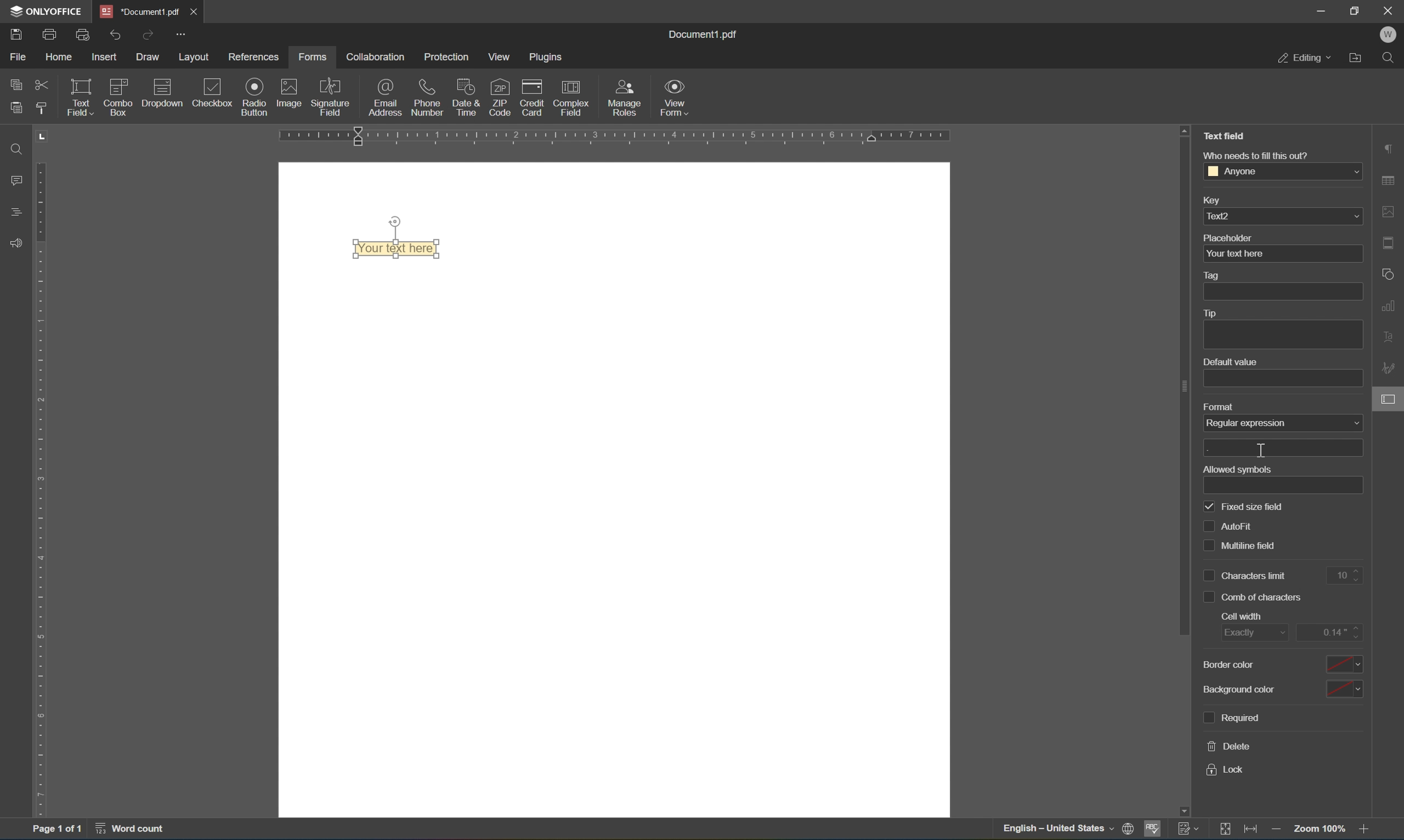 The image size is (1404, 840). Describe the element at coordinates (1388, 340) in the screenshot. I see `text art settings` at that location.